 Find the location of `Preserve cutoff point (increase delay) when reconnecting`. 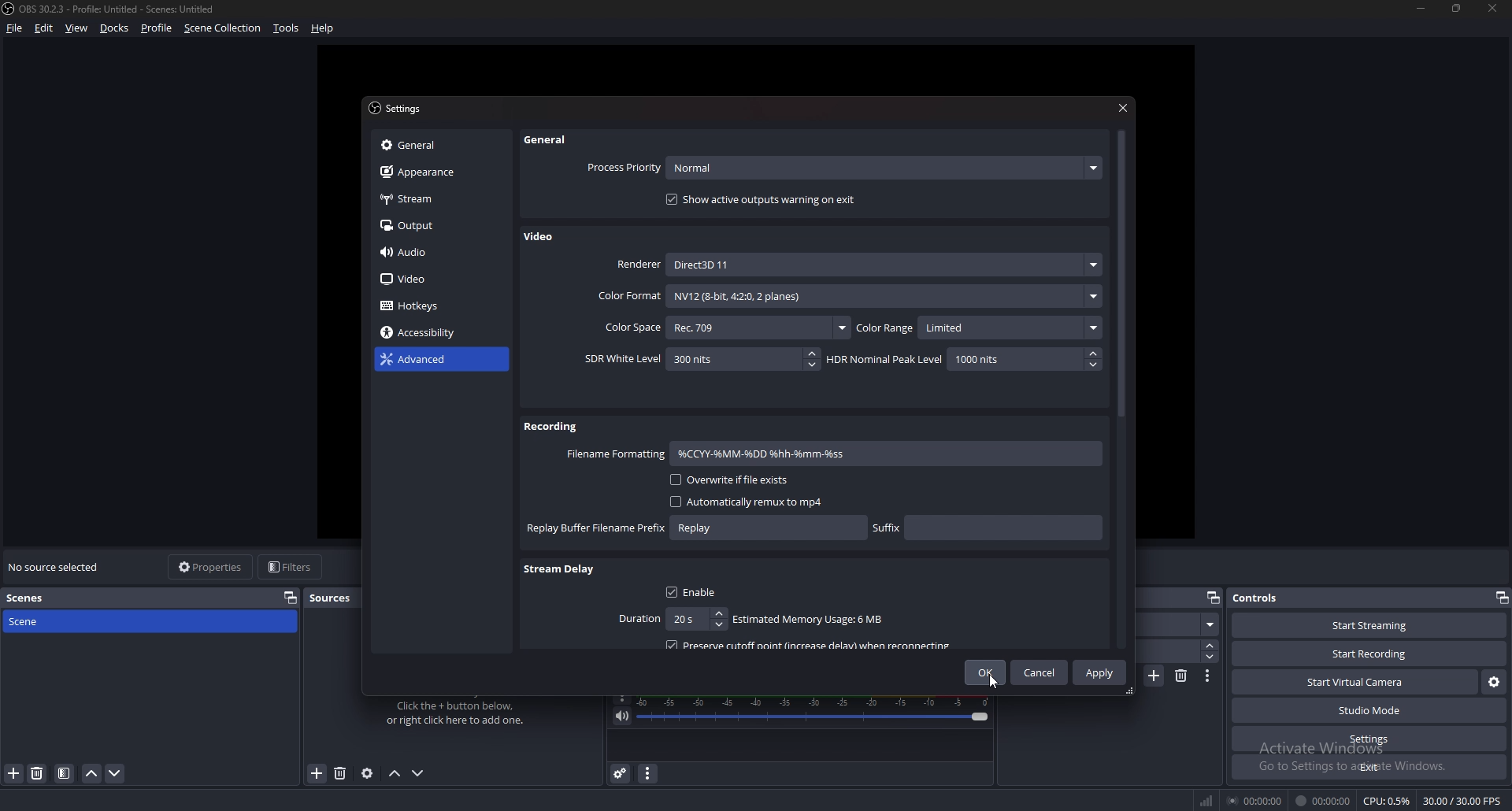

Preserve cutoff point (increase delay) when reconnecting is located at coordinates (811, 644).